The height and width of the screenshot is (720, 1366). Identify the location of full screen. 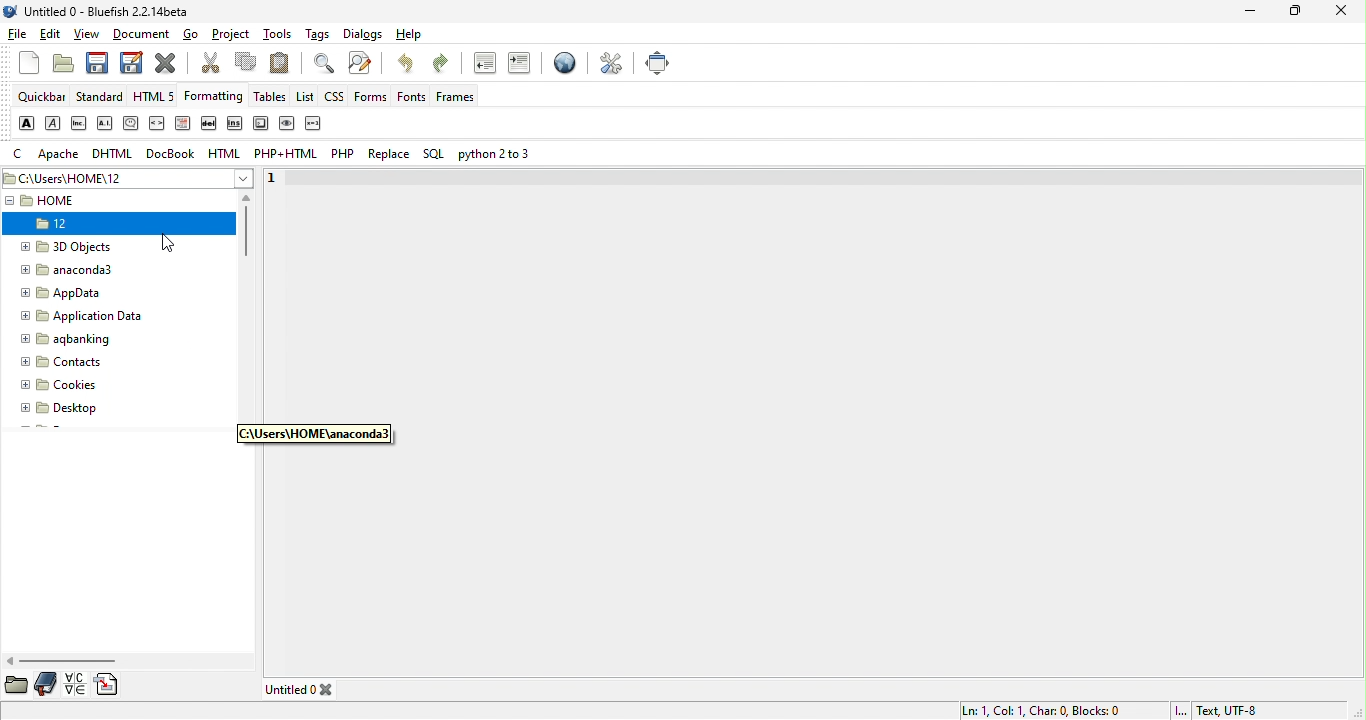
(658, 64).